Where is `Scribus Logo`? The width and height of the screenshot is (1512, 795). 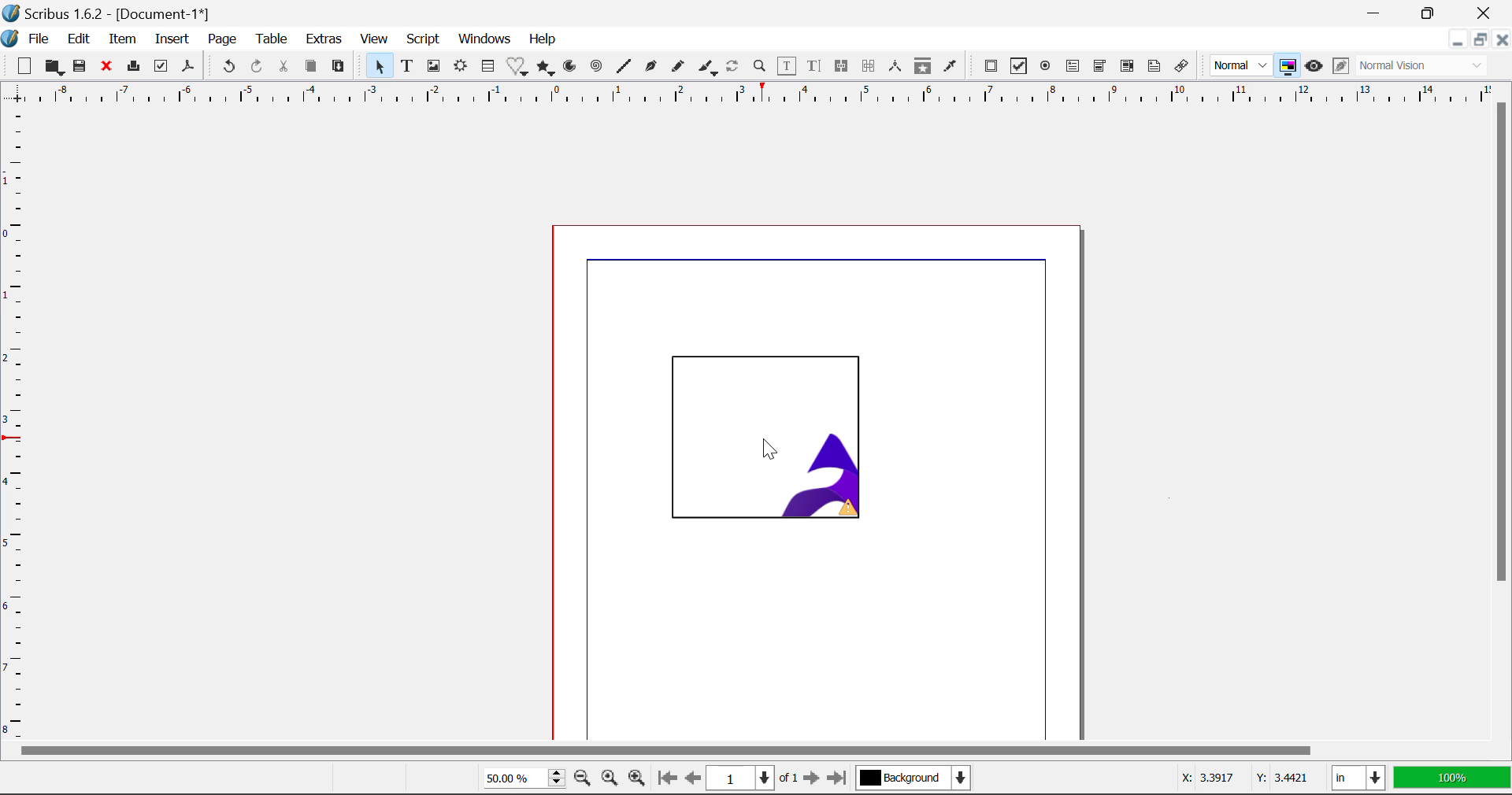
Scribus Logo is located at coordinates (9, 39).